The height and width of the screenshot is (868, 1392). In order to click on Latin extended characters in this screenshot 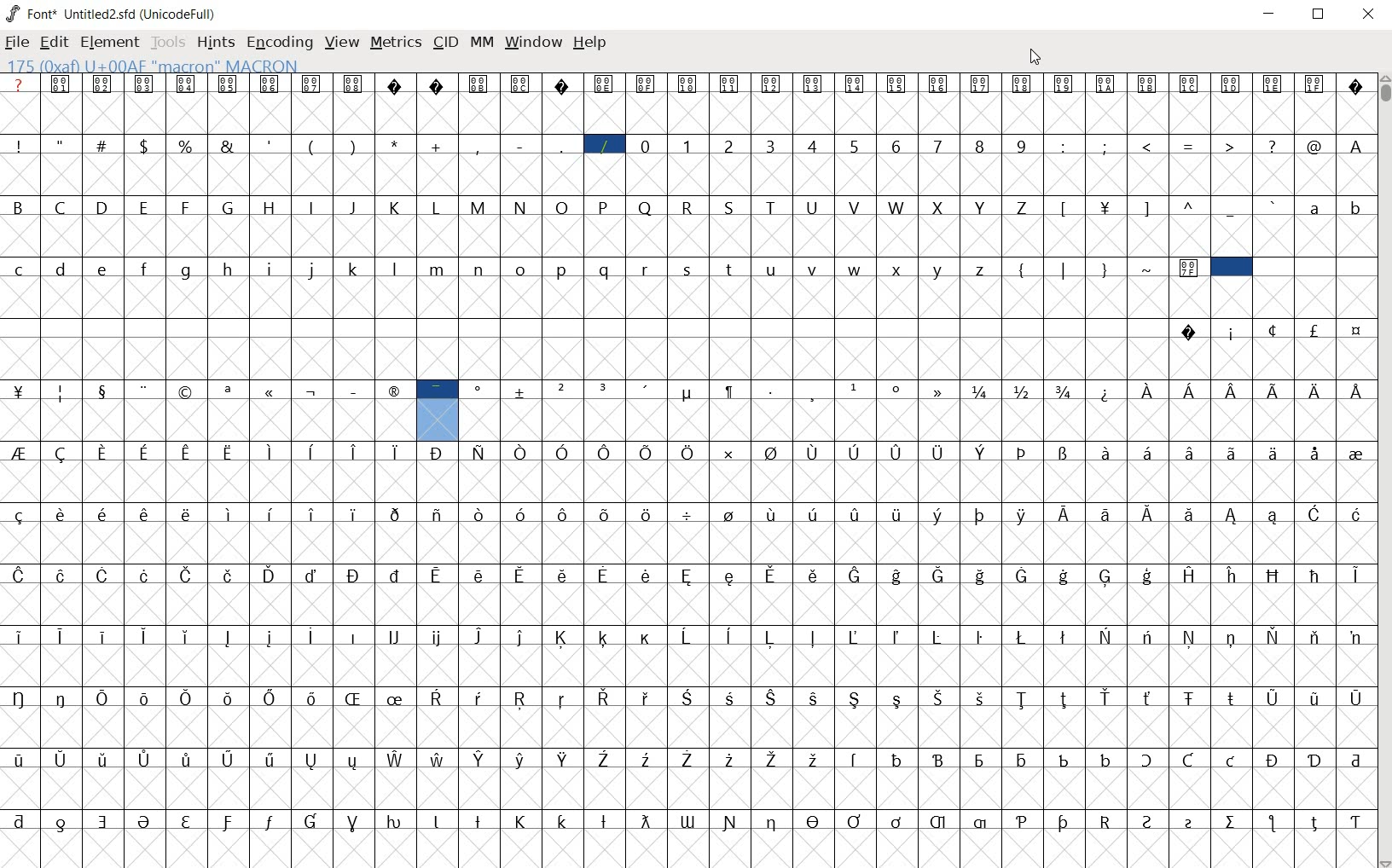, I will do `click(1227, 472)`.